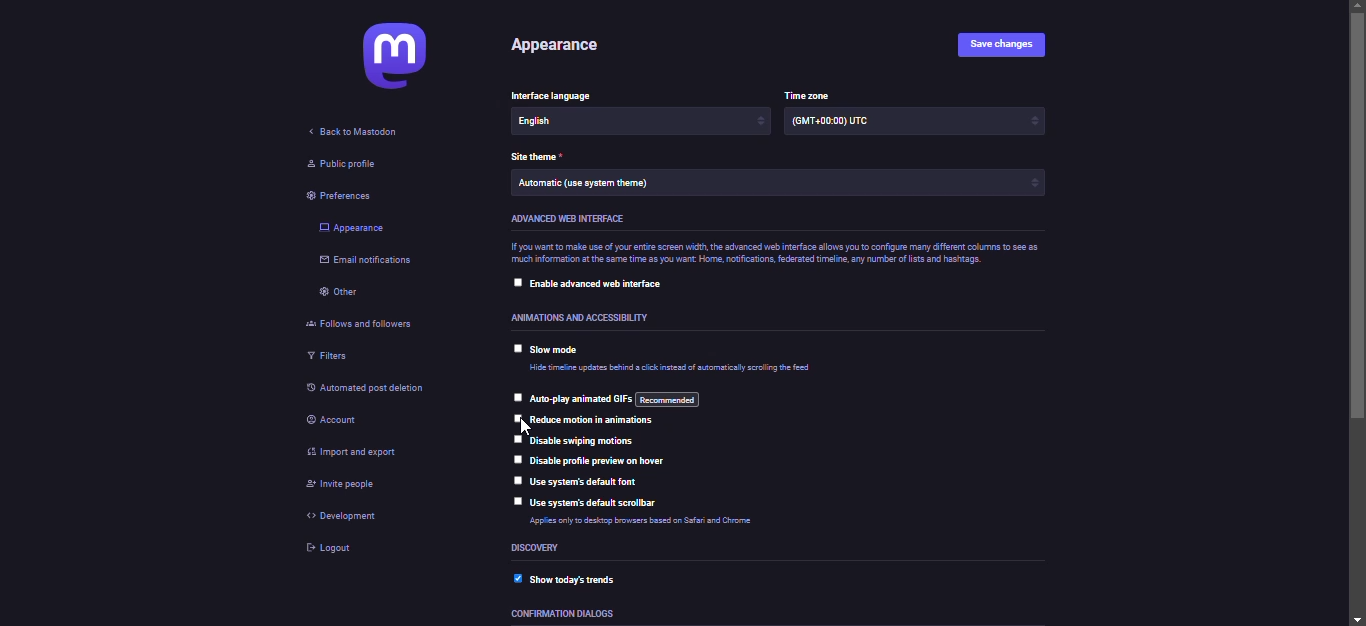 The width and height of the screenshot is (1366, 626). I want to click on click to select, so click(517, 348).